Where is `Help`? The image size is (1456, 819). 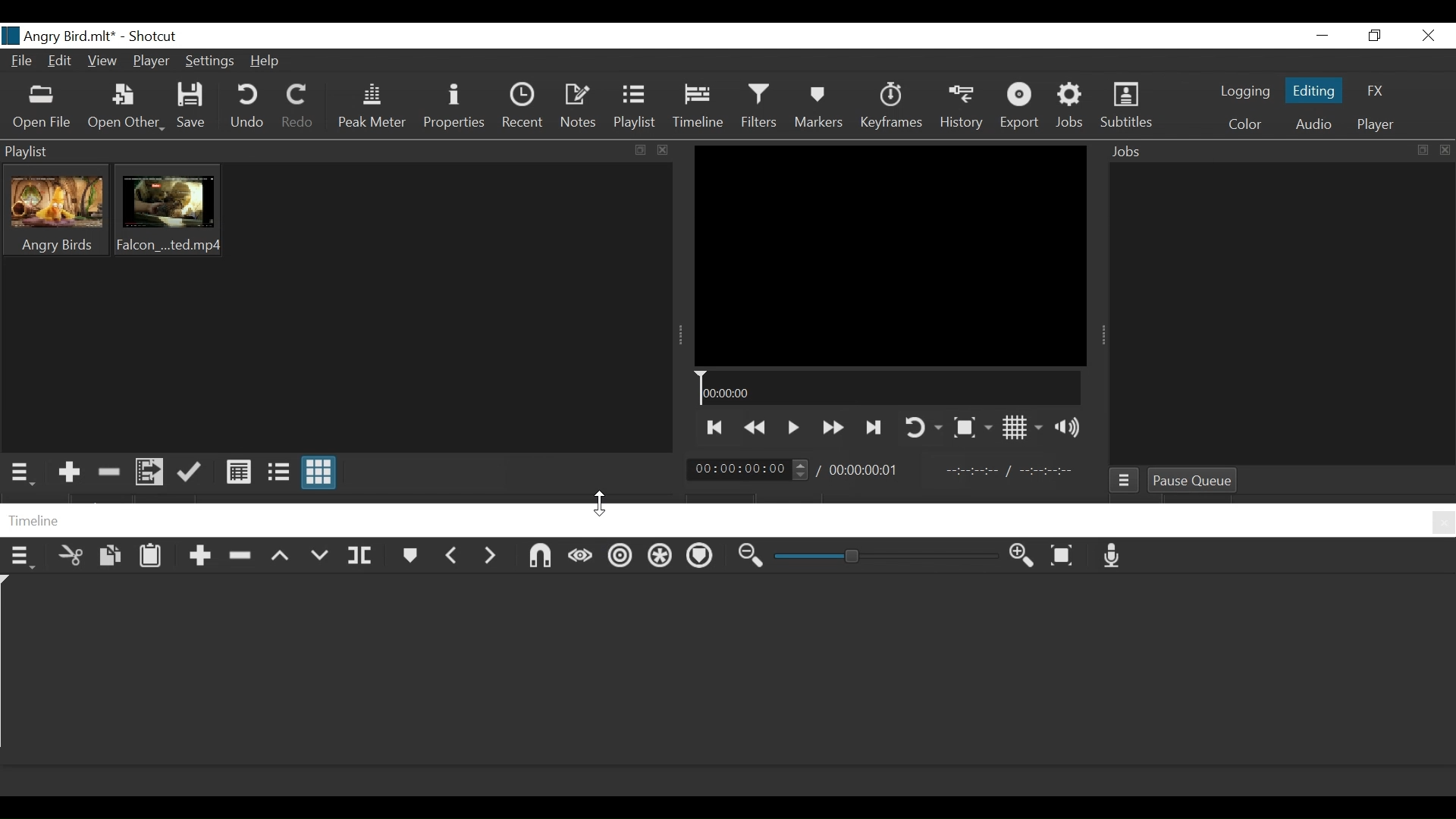 Help is located at coordinates (266, 63).